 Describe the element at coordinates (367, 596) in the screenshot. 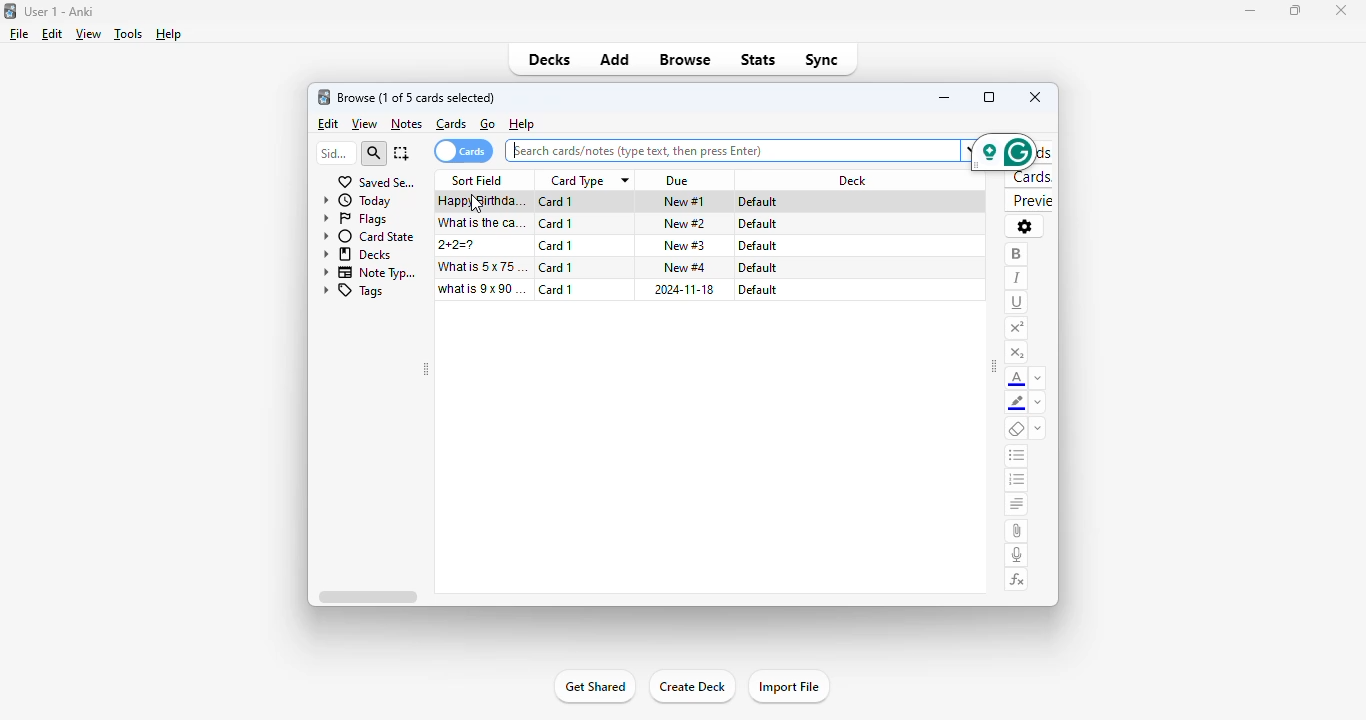

I see `horizontal scroll bar` at that location.